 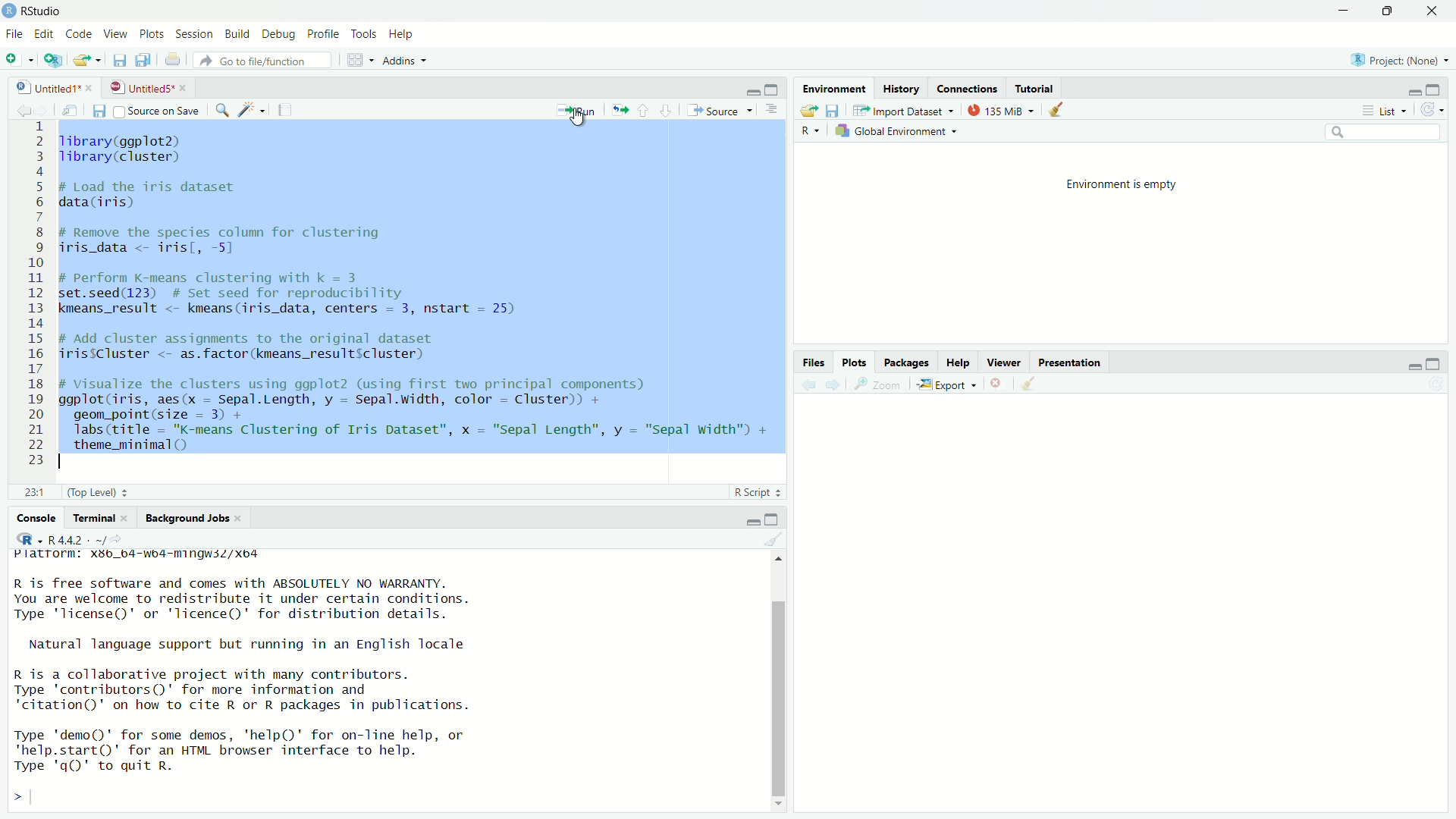 I want to click on go back to the previous source location, so click(x=15, y=108).